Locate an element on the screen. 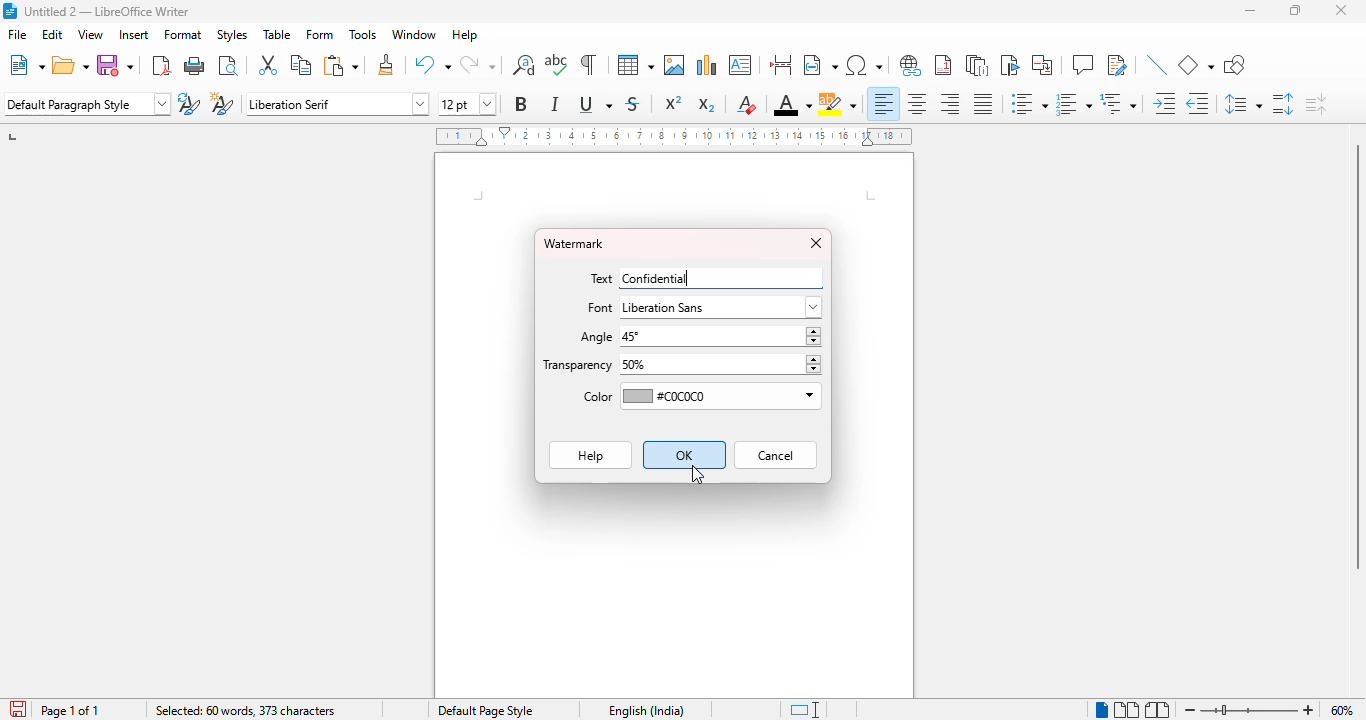  insert footnote is located at coordinates (944, 65).